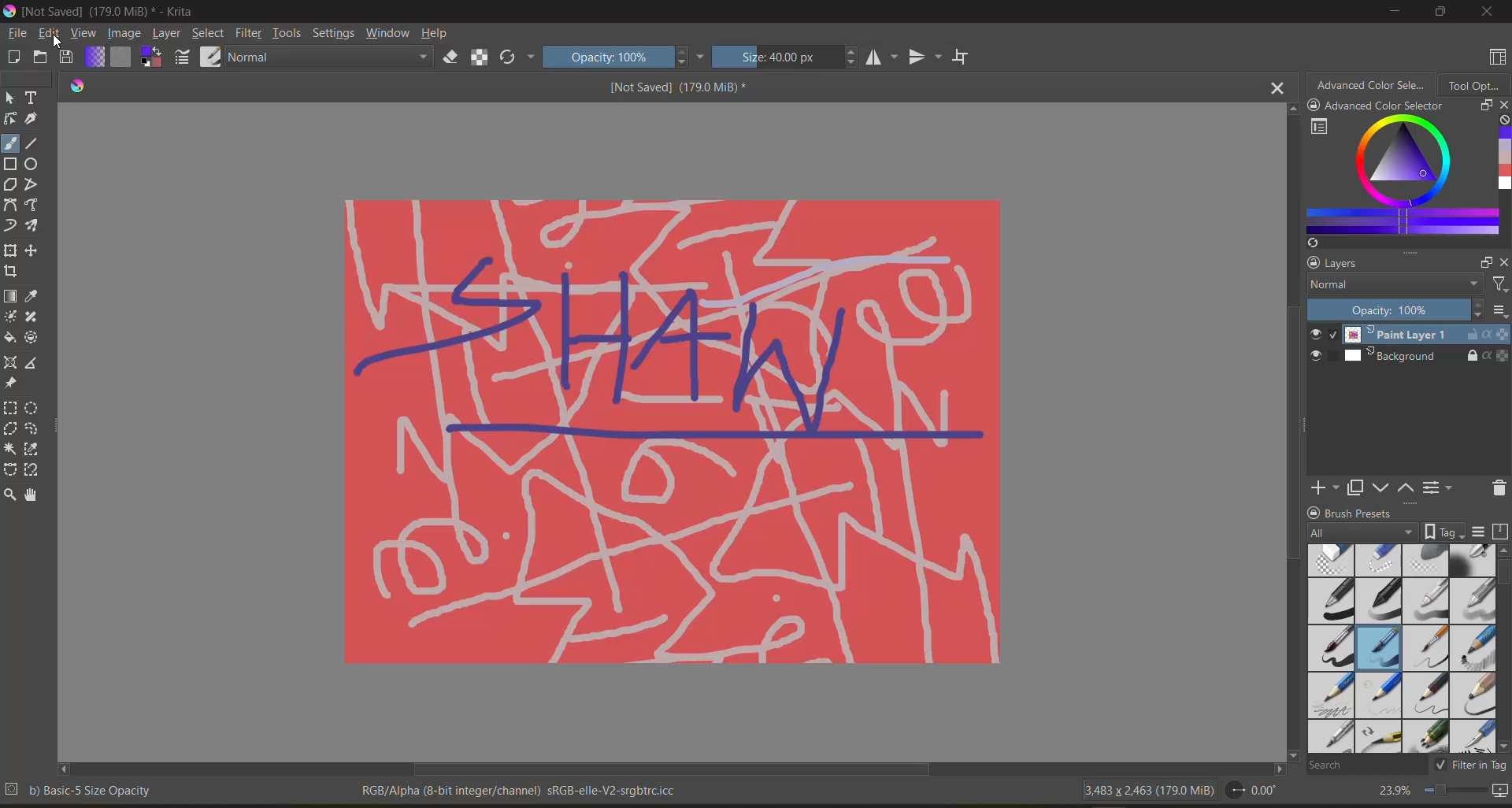 Image resolution: width=1512 pixels, height=808 pixels. What do you see at coordinates (1440, 487) in the screenshot?
I see `view or change layer` at bounding box center [1440, 487].